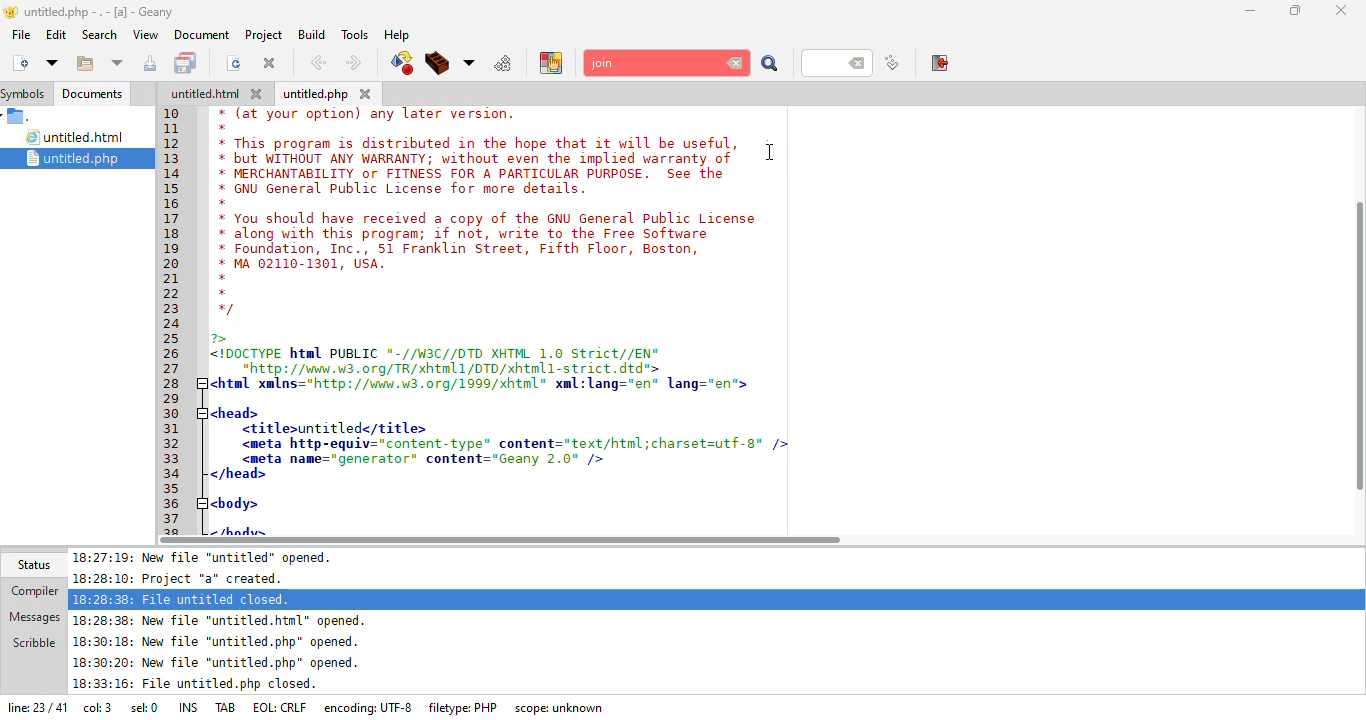  What do you see at coordinates (489, 384) in the screenshot?
I see `<html xmlns="http://www.w3.org/1999/xhtml" xml:lang="en" lang="en">` at bounding box center [489, 384].